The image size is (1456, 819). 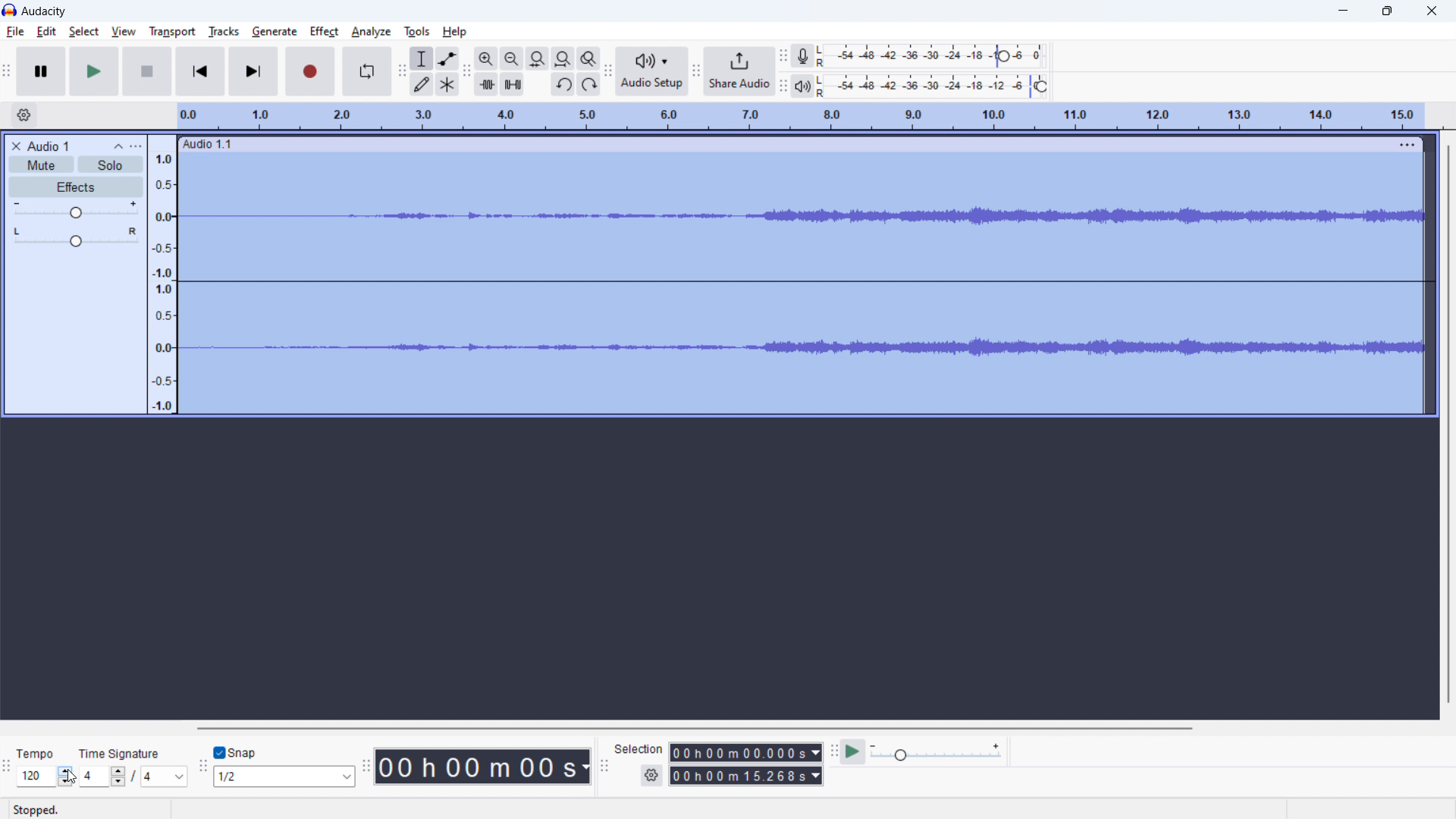 I want to click on recording meter, so click(x=799, y=56).